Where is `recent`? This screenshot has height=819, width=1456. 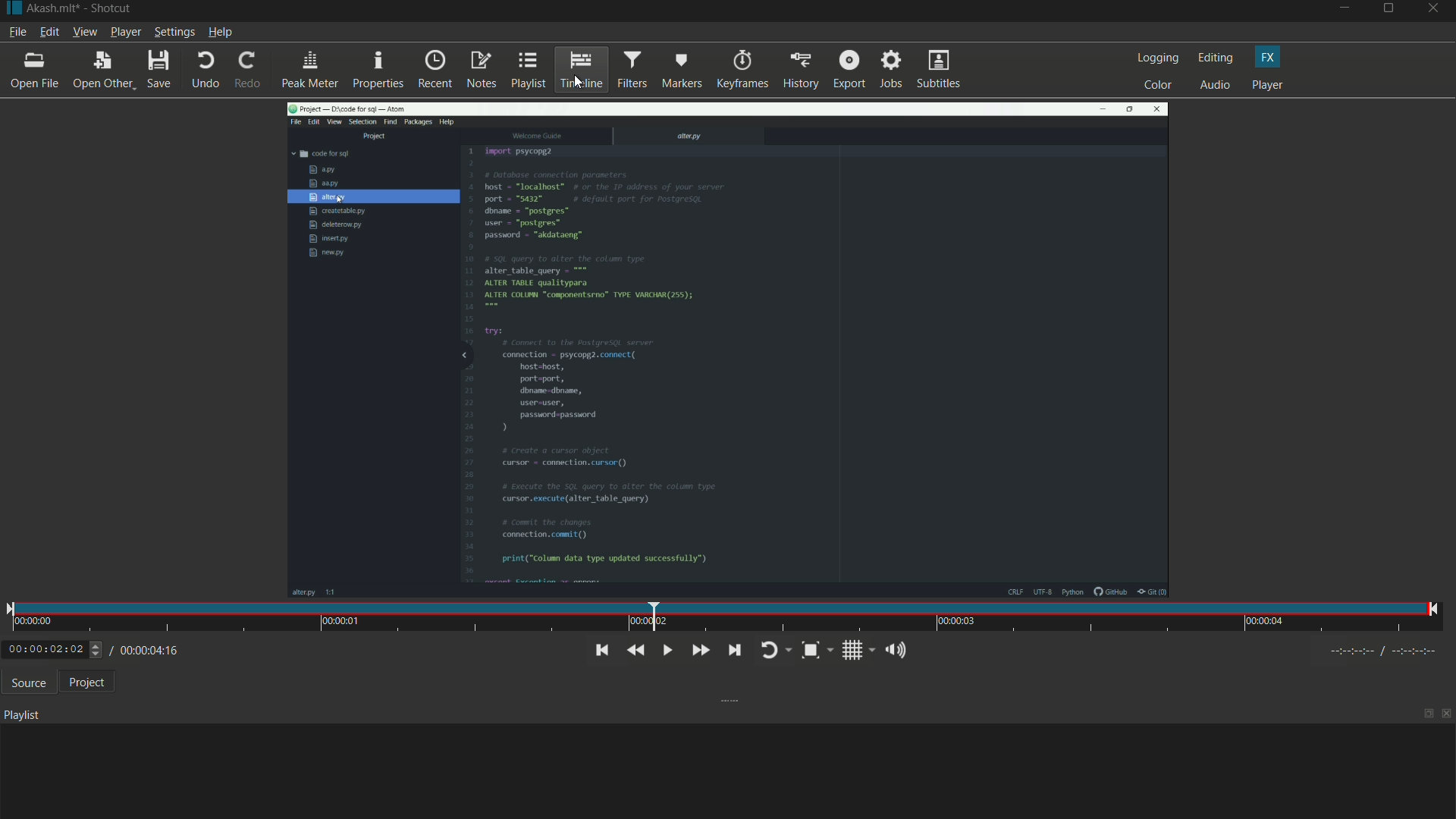
recent is located at coordinates (434, 71).